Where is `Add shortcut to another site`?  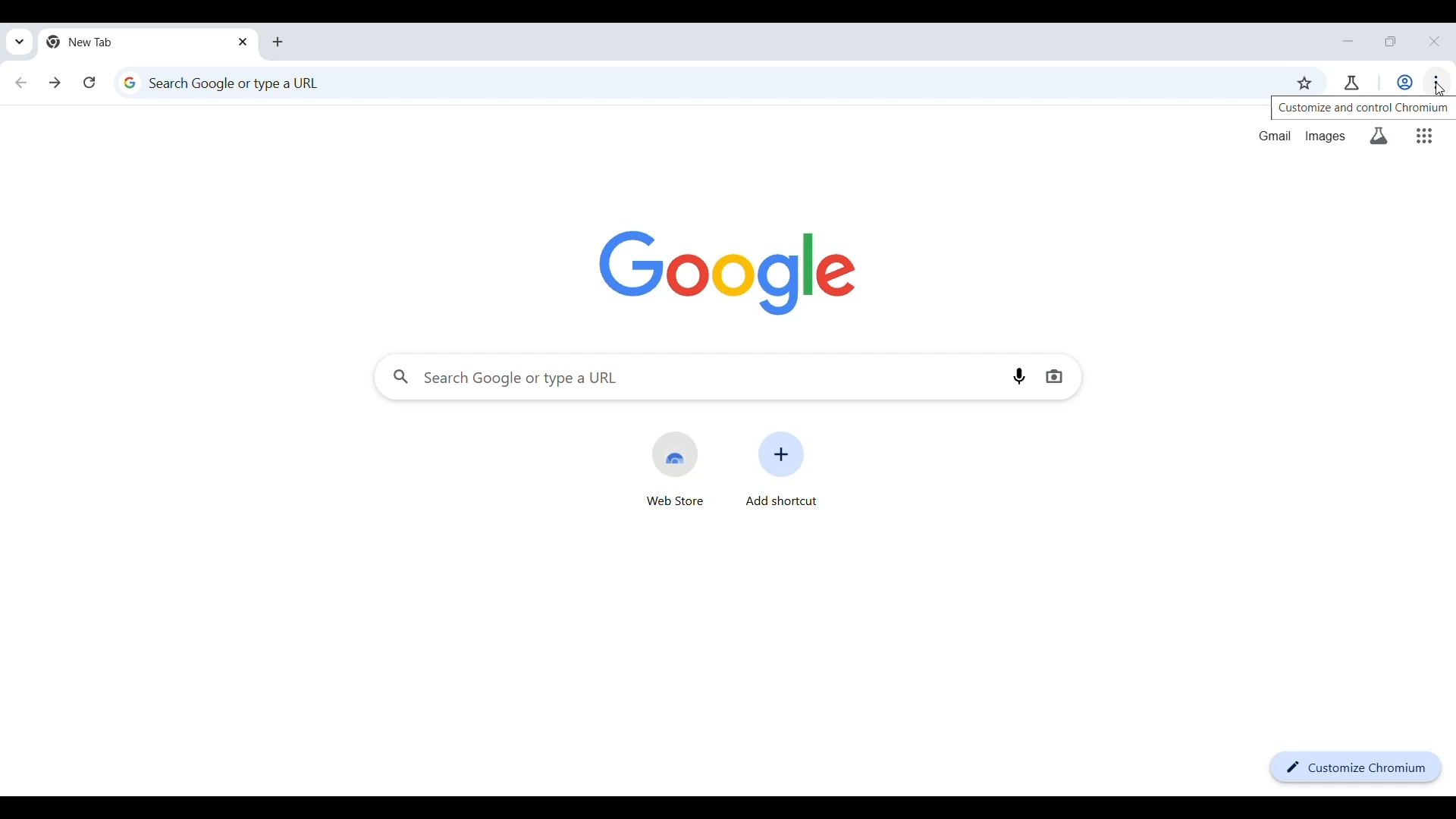 Add shortcut to another site is located at coordinates (782, 469).